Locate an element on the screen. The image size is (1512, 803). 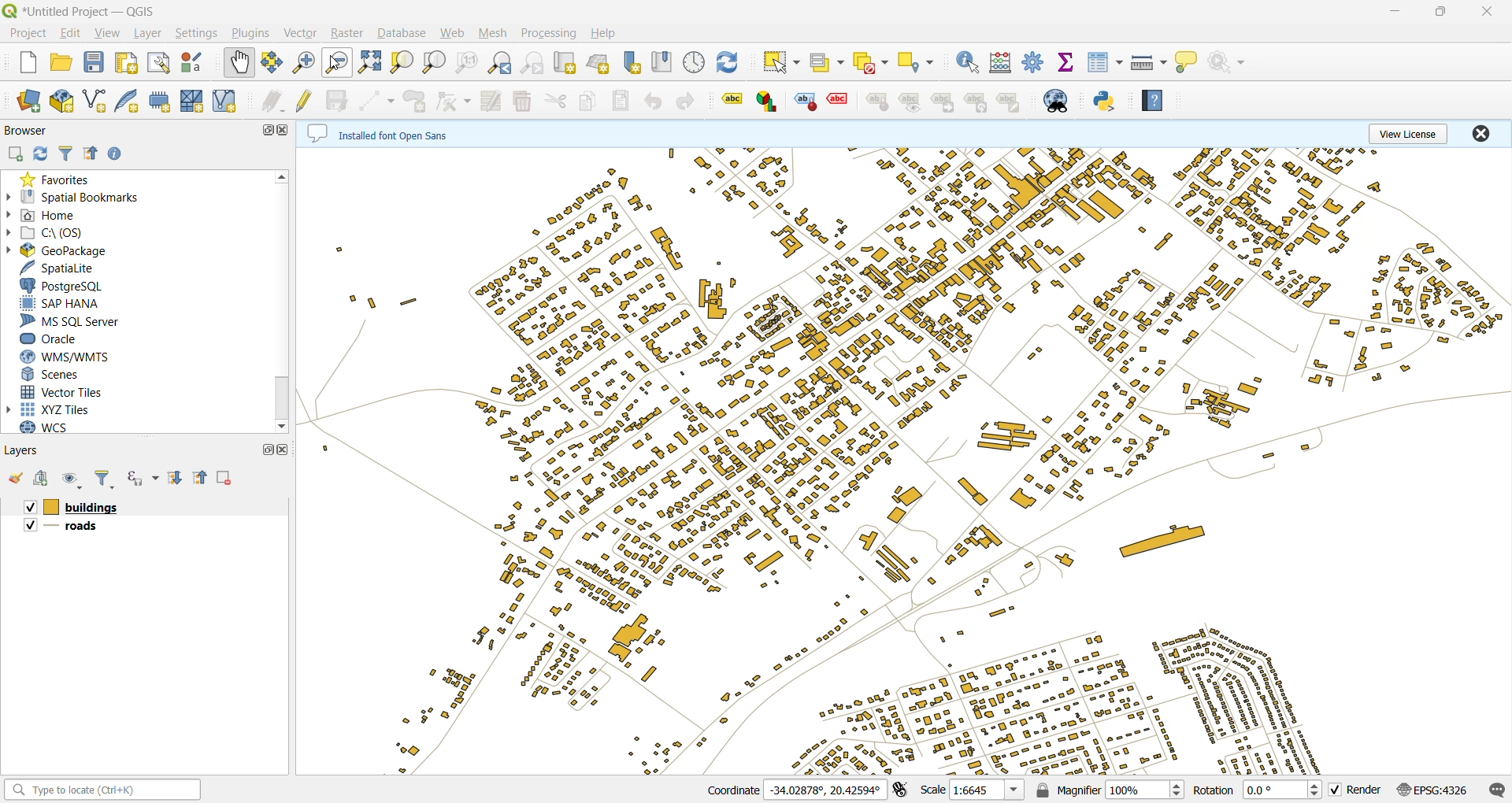
crs is located at coordinates (1436, 791).